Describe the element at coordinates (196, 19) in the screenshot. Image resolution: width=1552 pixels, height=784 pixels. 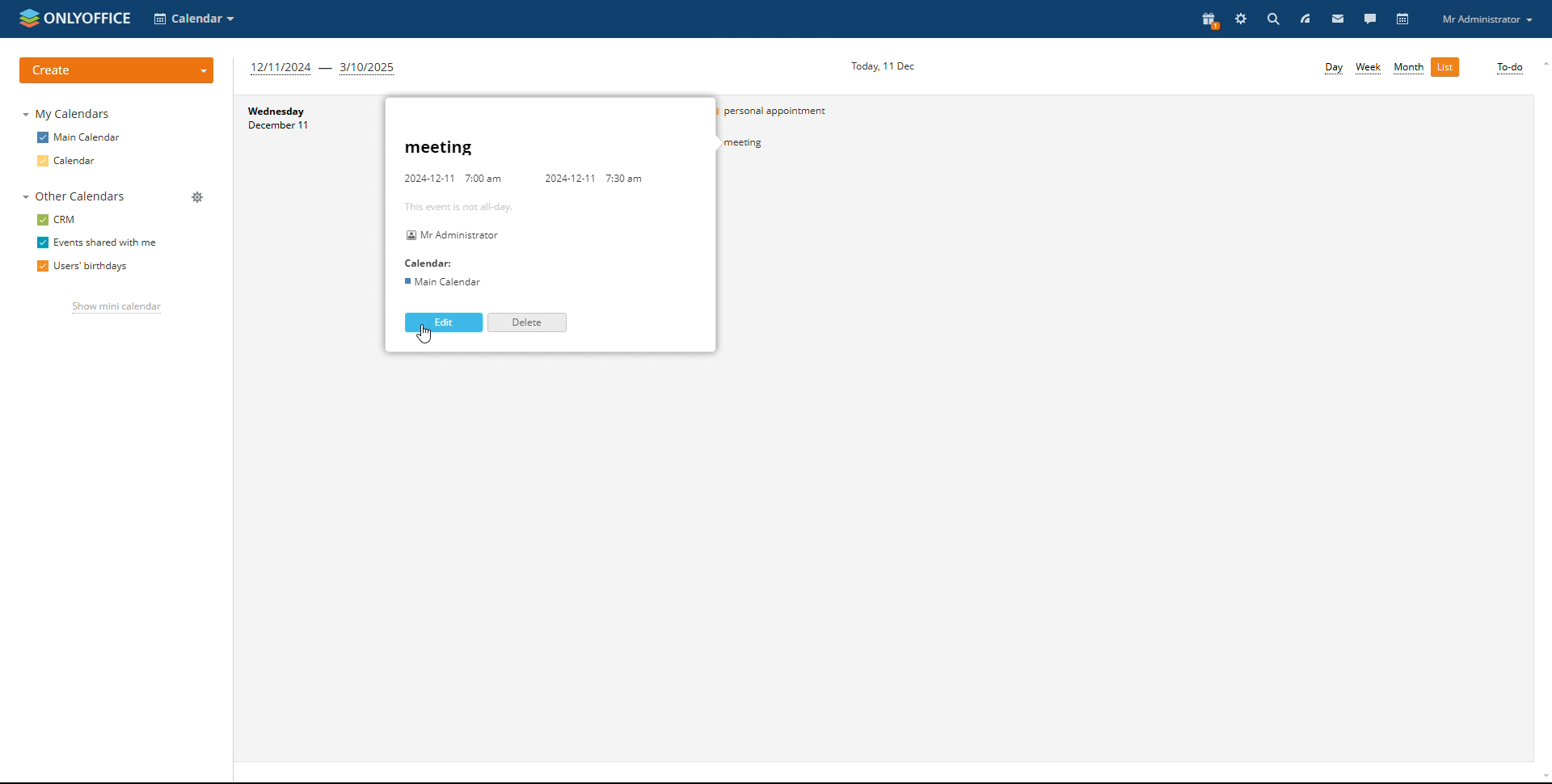
I see `select application` at that location.